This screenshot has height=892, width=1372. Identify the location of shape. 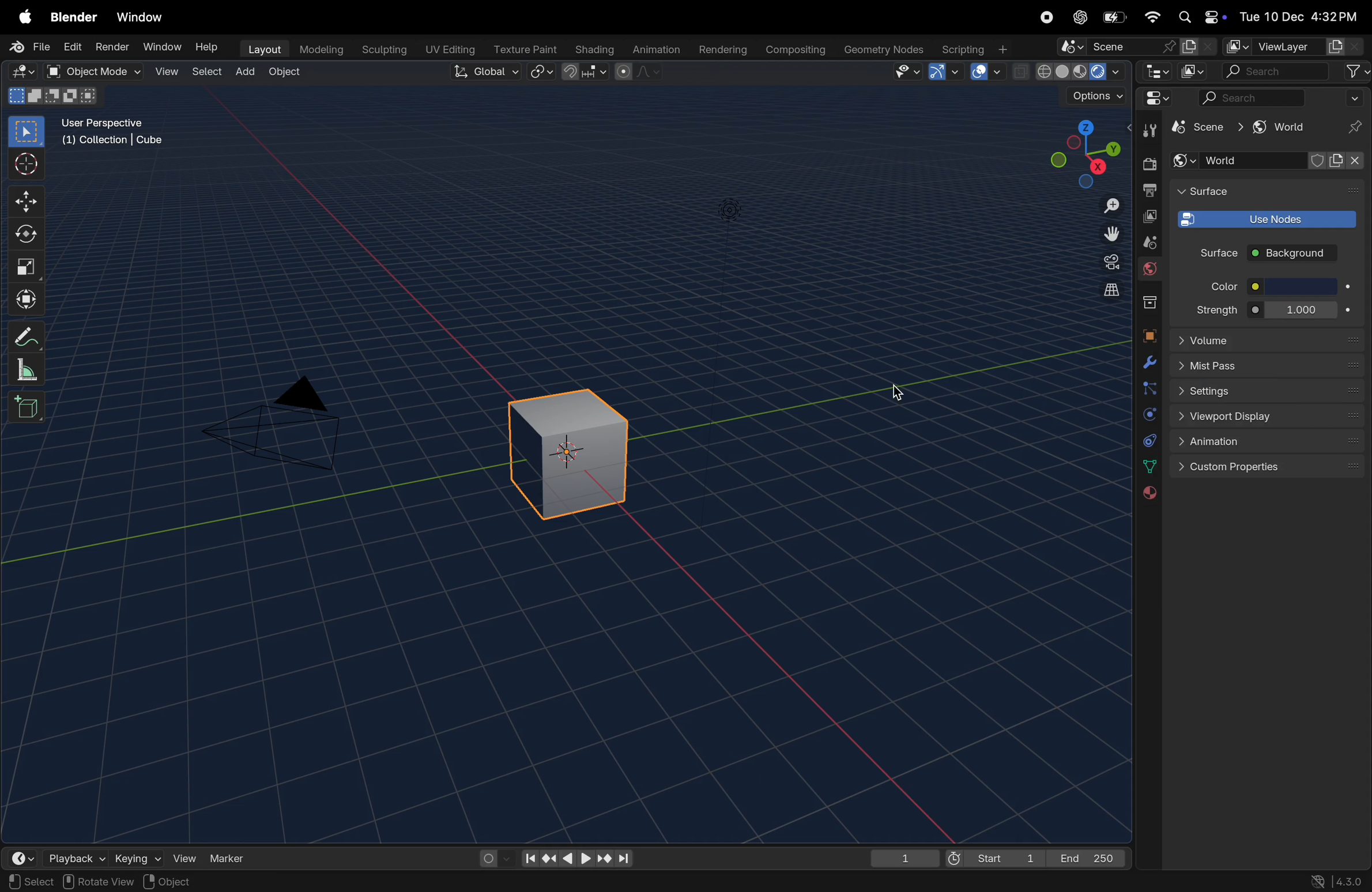
(27, 266).